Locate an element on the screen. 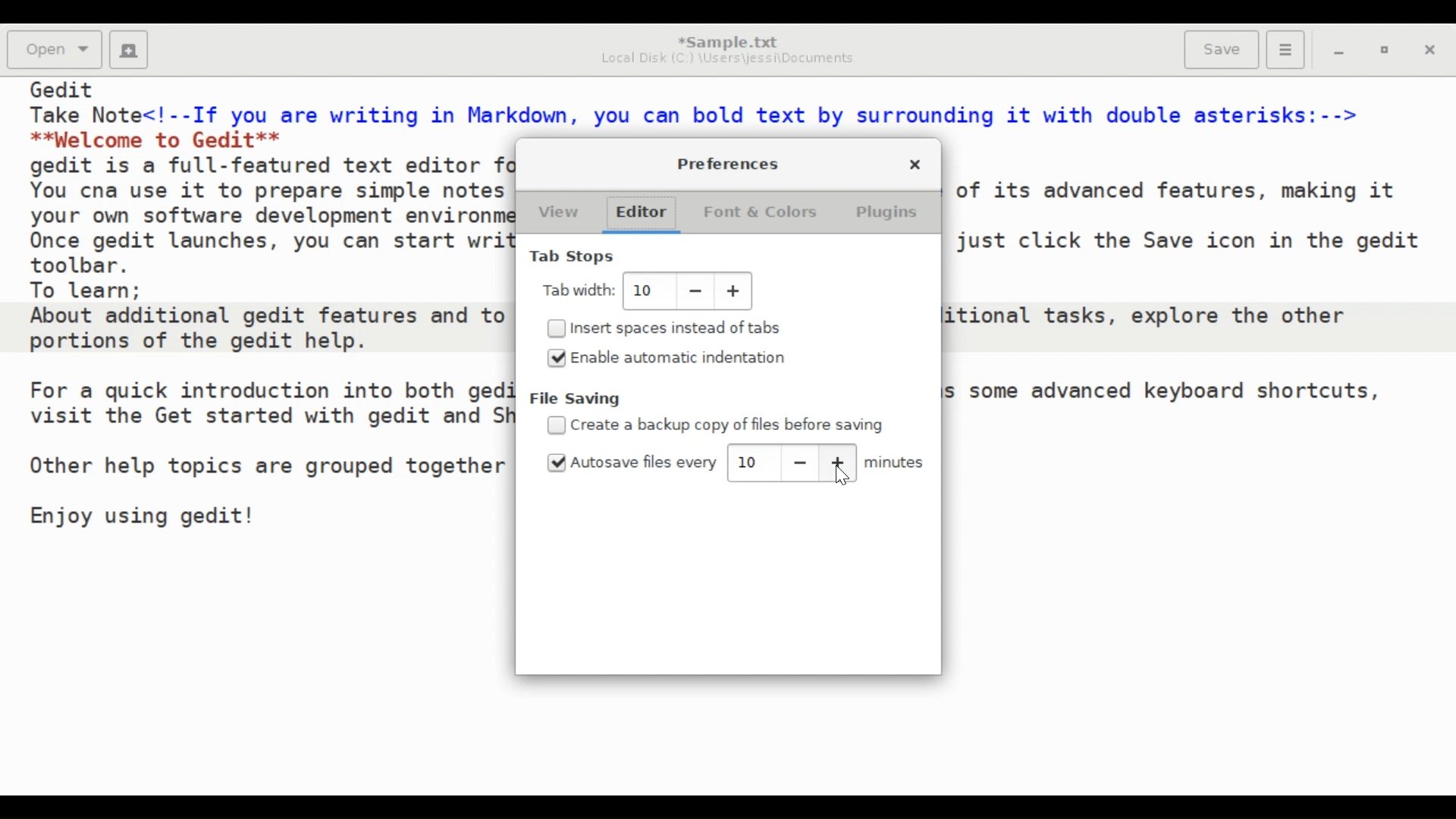  Font & Colors is located at coordinates (762, 212).